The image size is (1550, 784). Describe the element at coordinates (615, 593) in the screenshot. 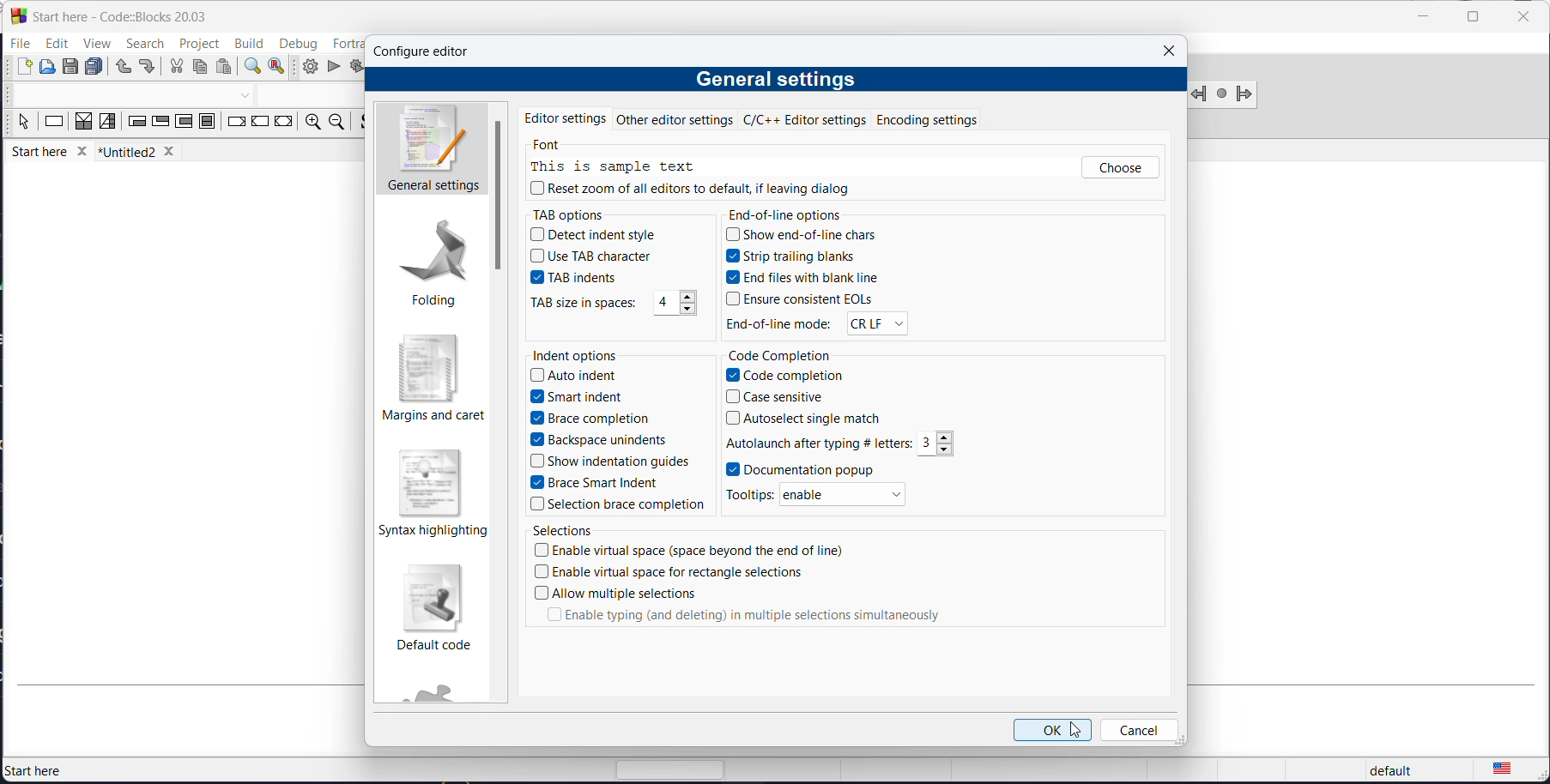

I see `allow multiple selection checkbox` at that location.